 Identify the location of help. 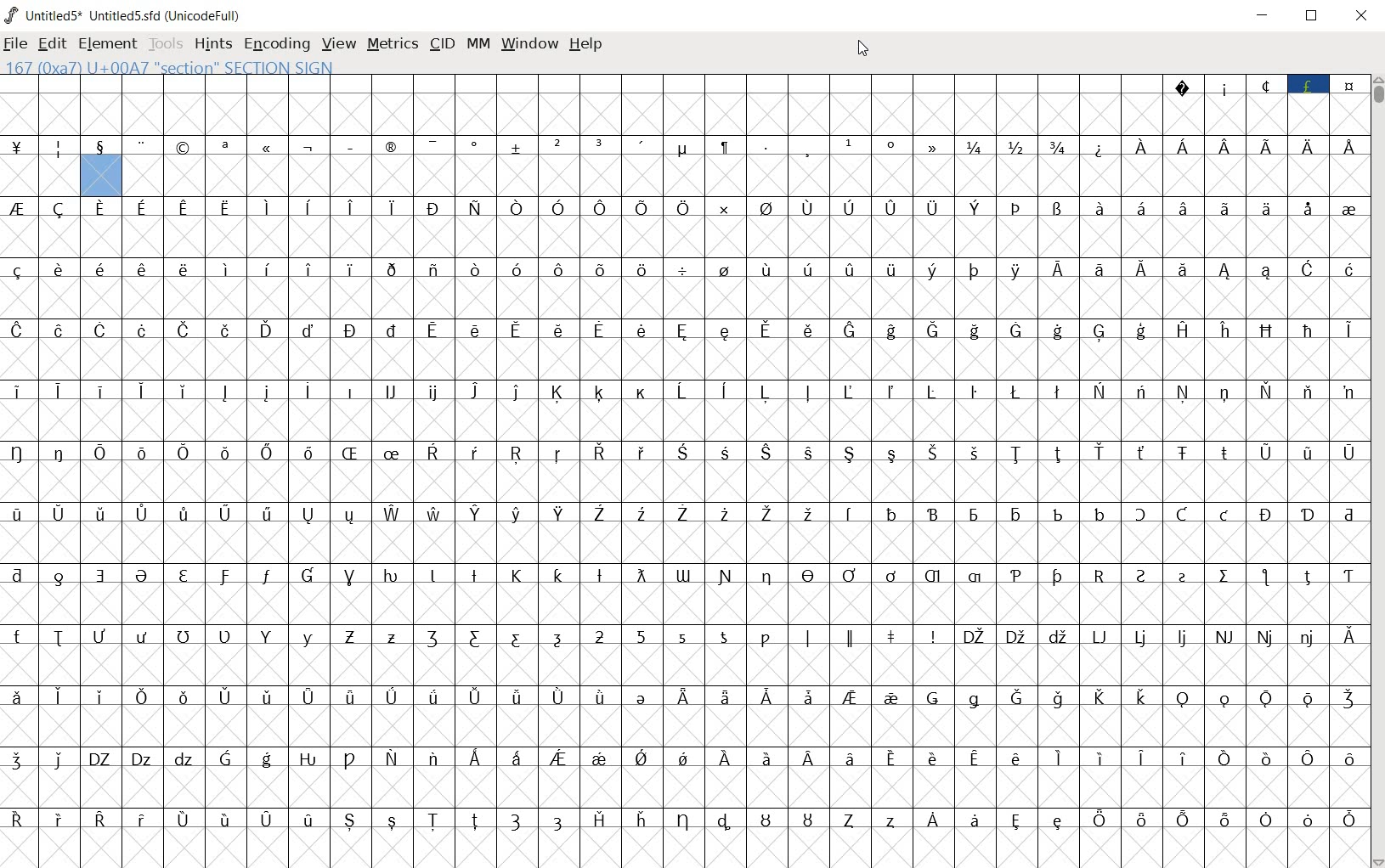
(586, 44).